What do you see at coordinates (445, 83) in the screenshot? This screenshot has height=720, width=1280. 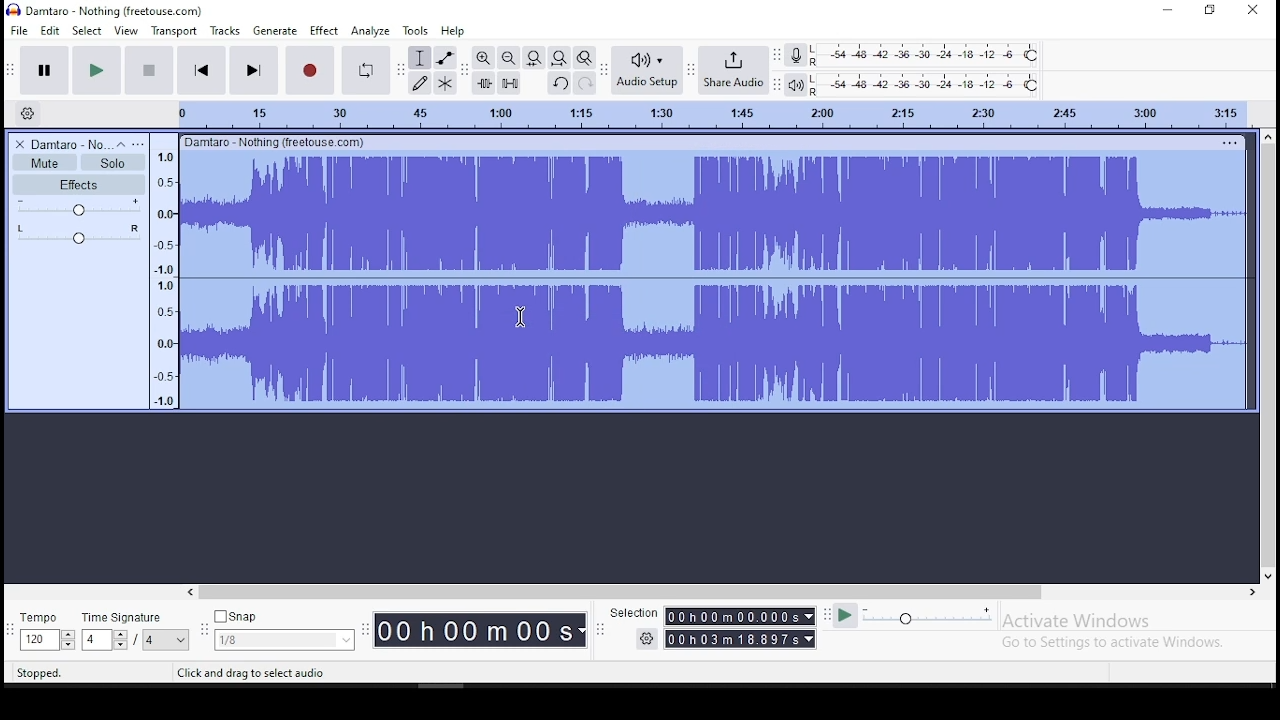 I see `multi tool` at bounding box center [445, 83].